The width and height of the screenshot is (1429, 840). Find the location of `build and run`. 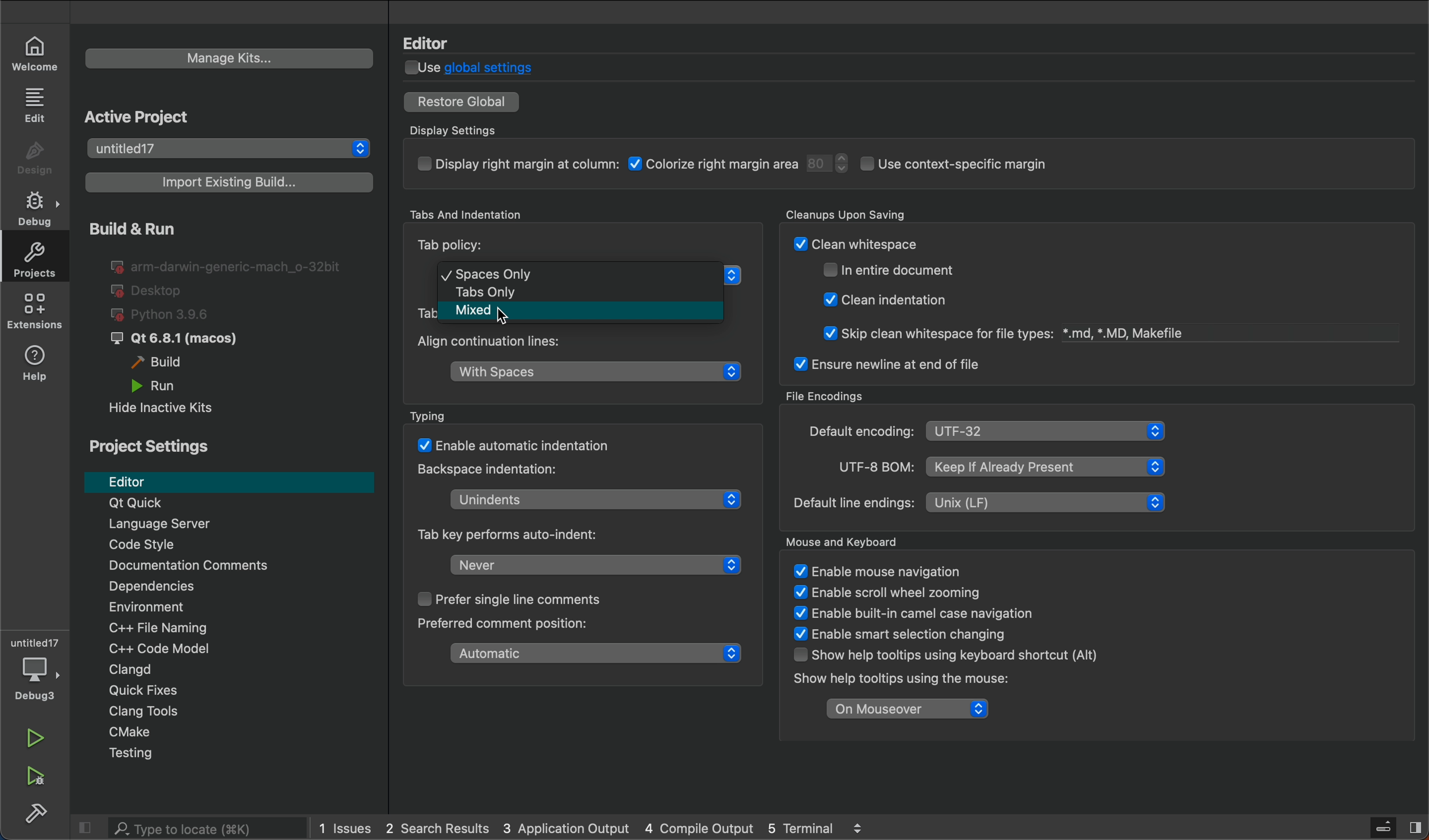

build and run is located at coordinates (129, 228).